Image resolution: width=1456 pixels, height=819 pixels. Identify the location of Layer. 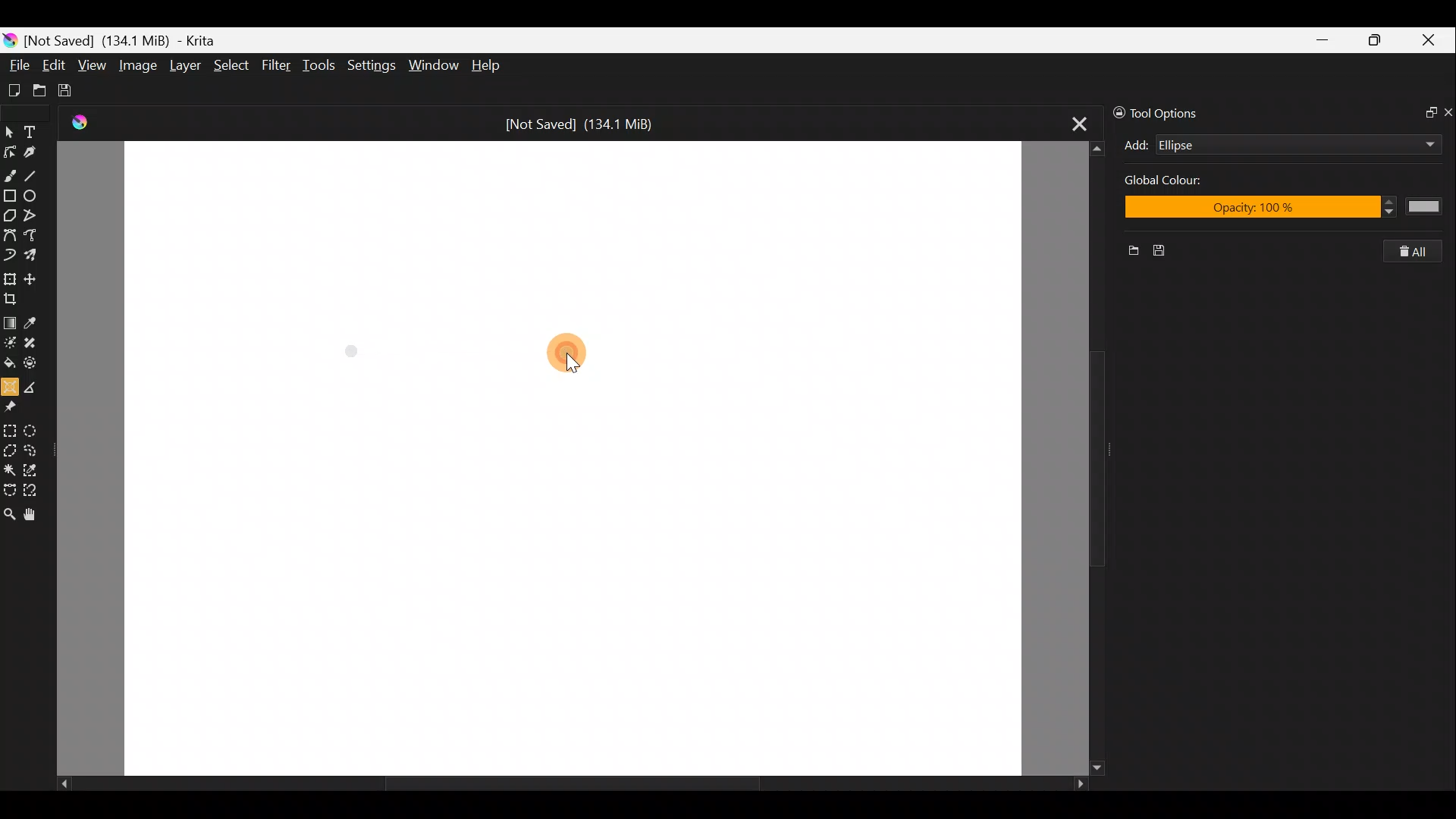
(184, 66).